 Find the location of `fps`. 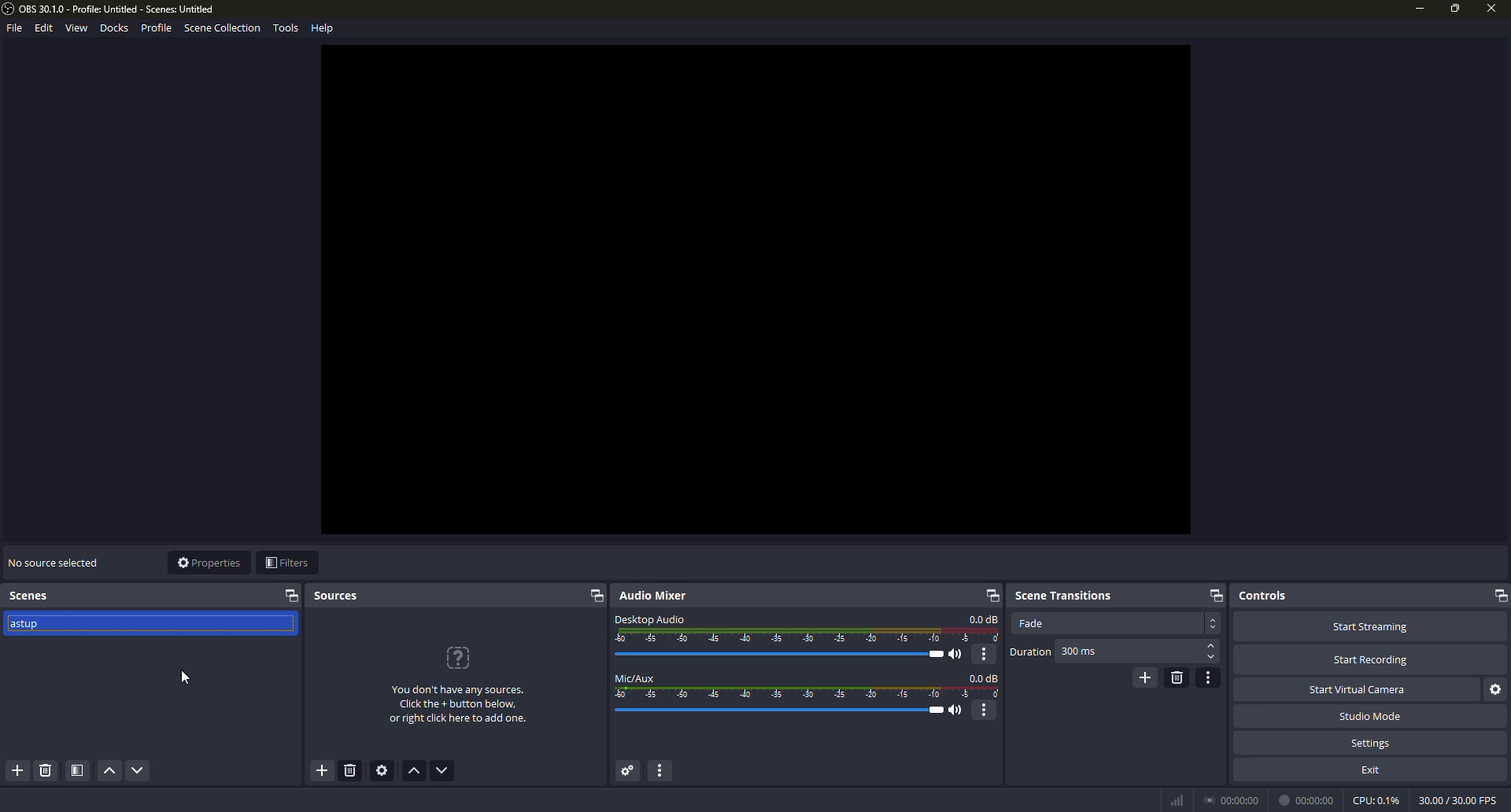

fps is located at coordinates (1456, 799).